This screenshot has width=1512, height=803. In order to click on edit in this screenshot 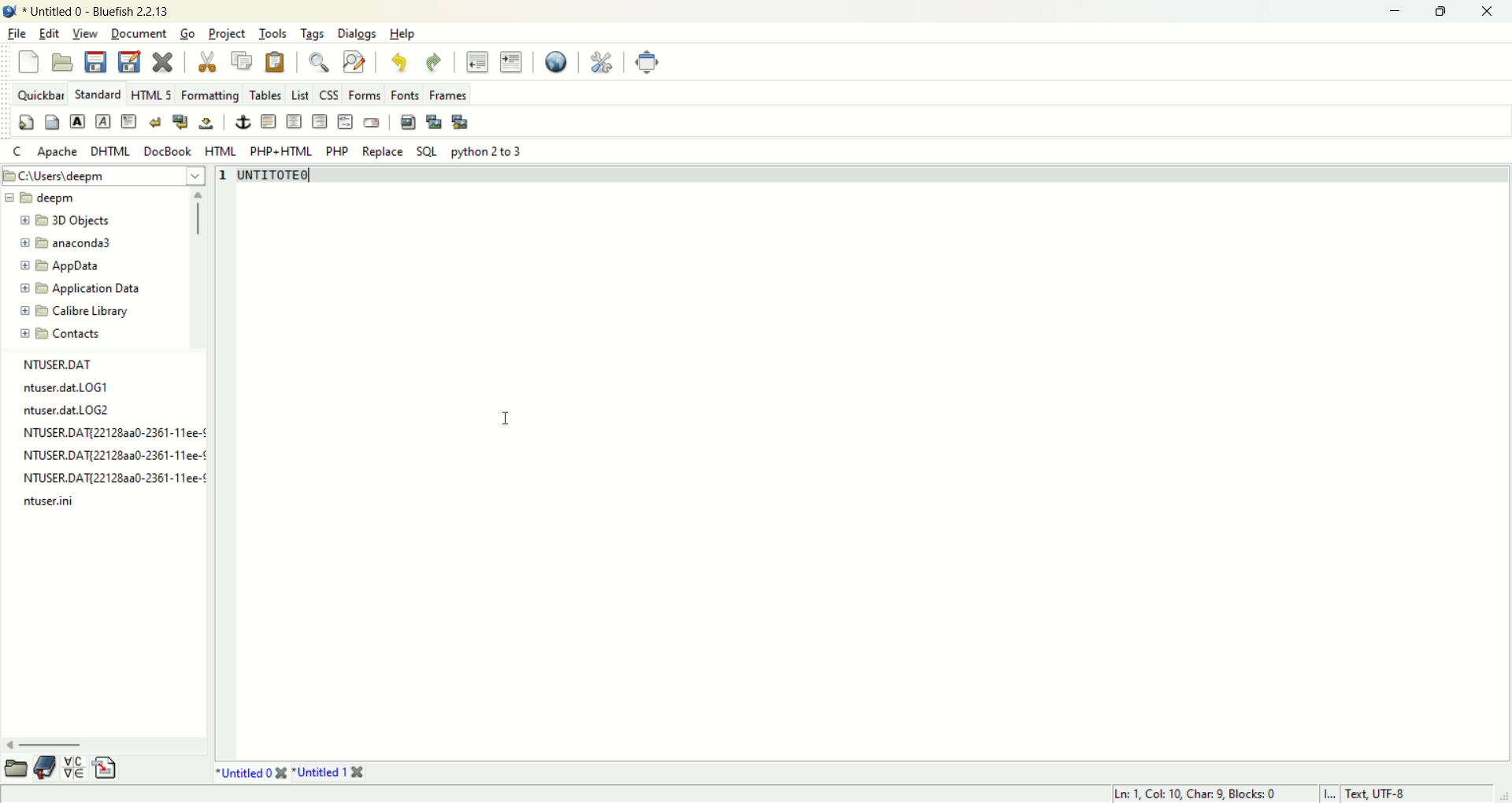, I will do `click(48, 33)`.